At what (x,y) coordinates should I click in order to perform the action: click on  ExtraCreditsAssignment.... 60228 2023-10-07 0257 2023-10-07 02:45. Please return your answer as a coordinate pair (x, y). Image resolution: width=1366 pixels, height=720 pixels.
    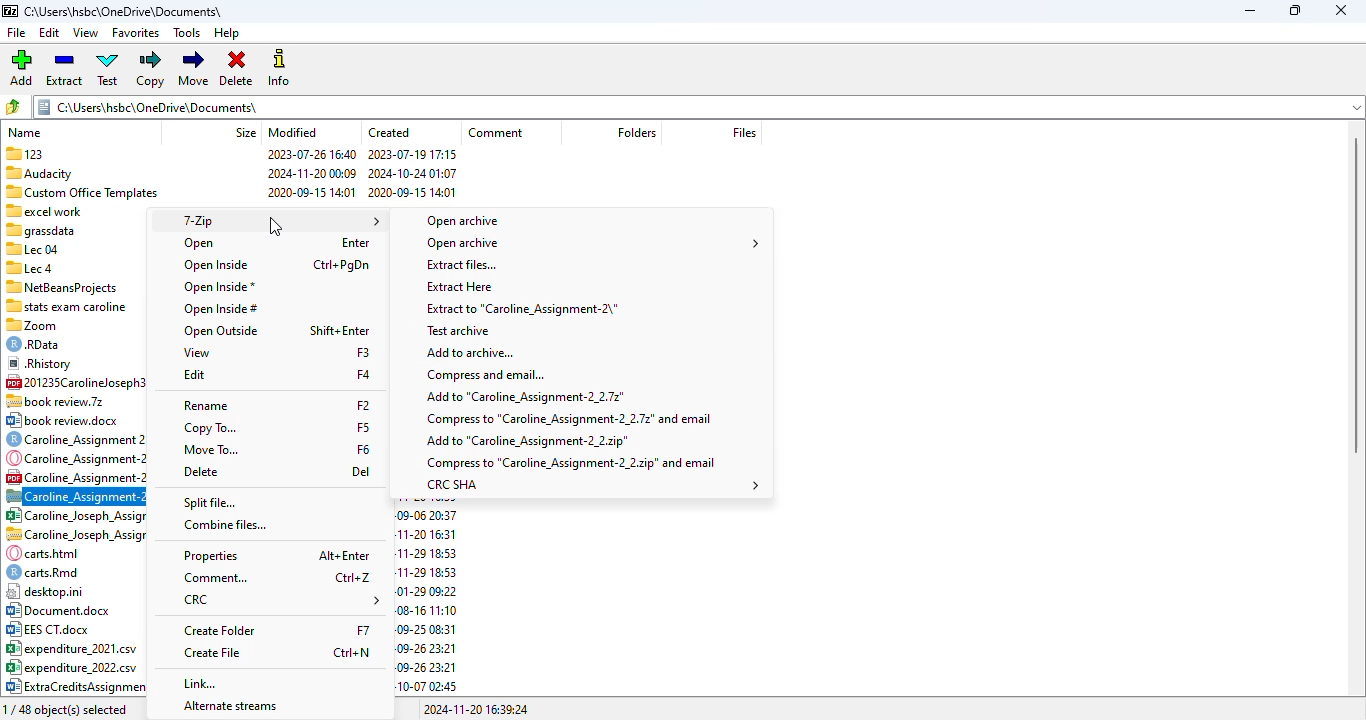
    Looking at the image, I should click on (85, 687).